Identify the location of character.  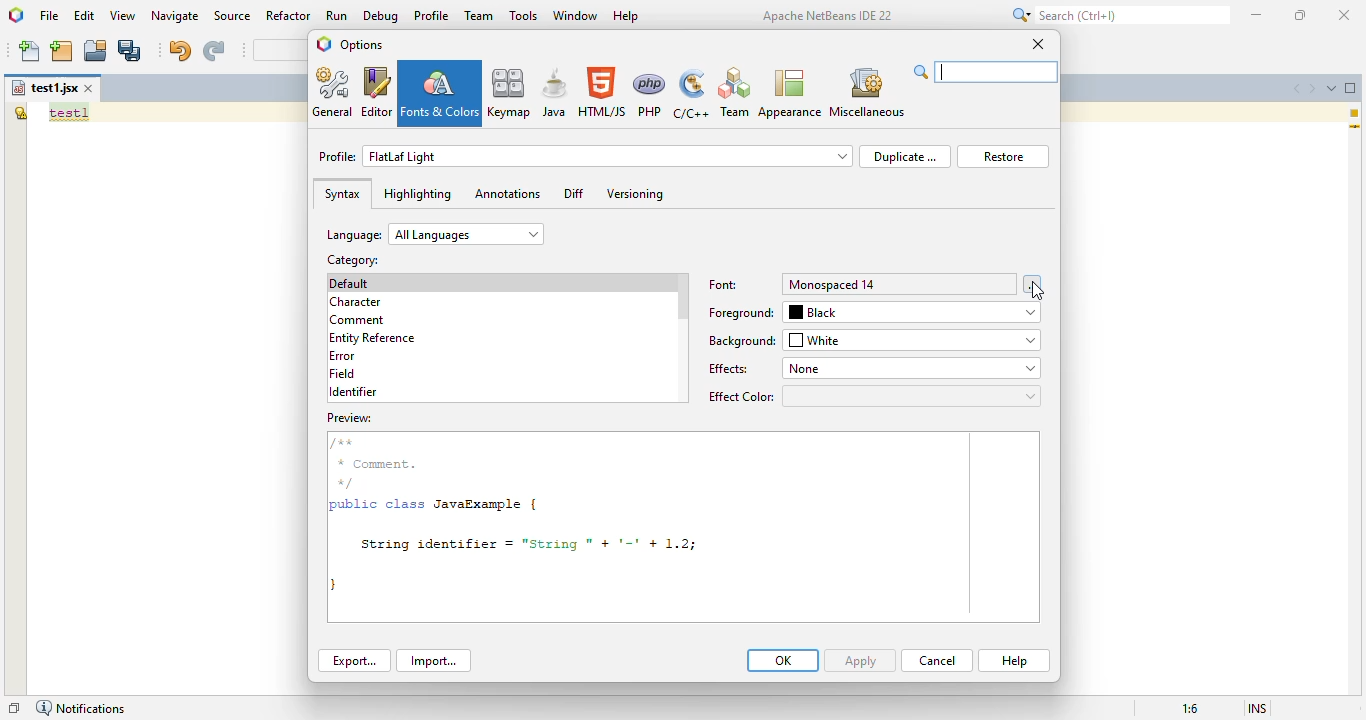
(355, 302).